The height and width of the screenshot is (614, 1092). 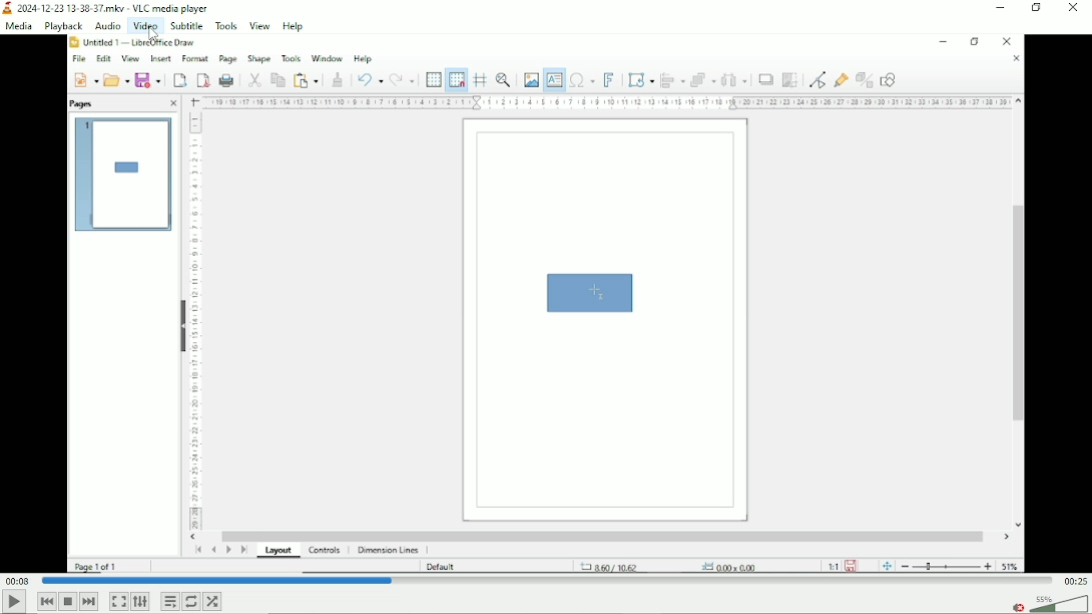 What do you see at coordinates (295, 26) in the screenshot?
I see `Help` at bounding box center [295, 26].